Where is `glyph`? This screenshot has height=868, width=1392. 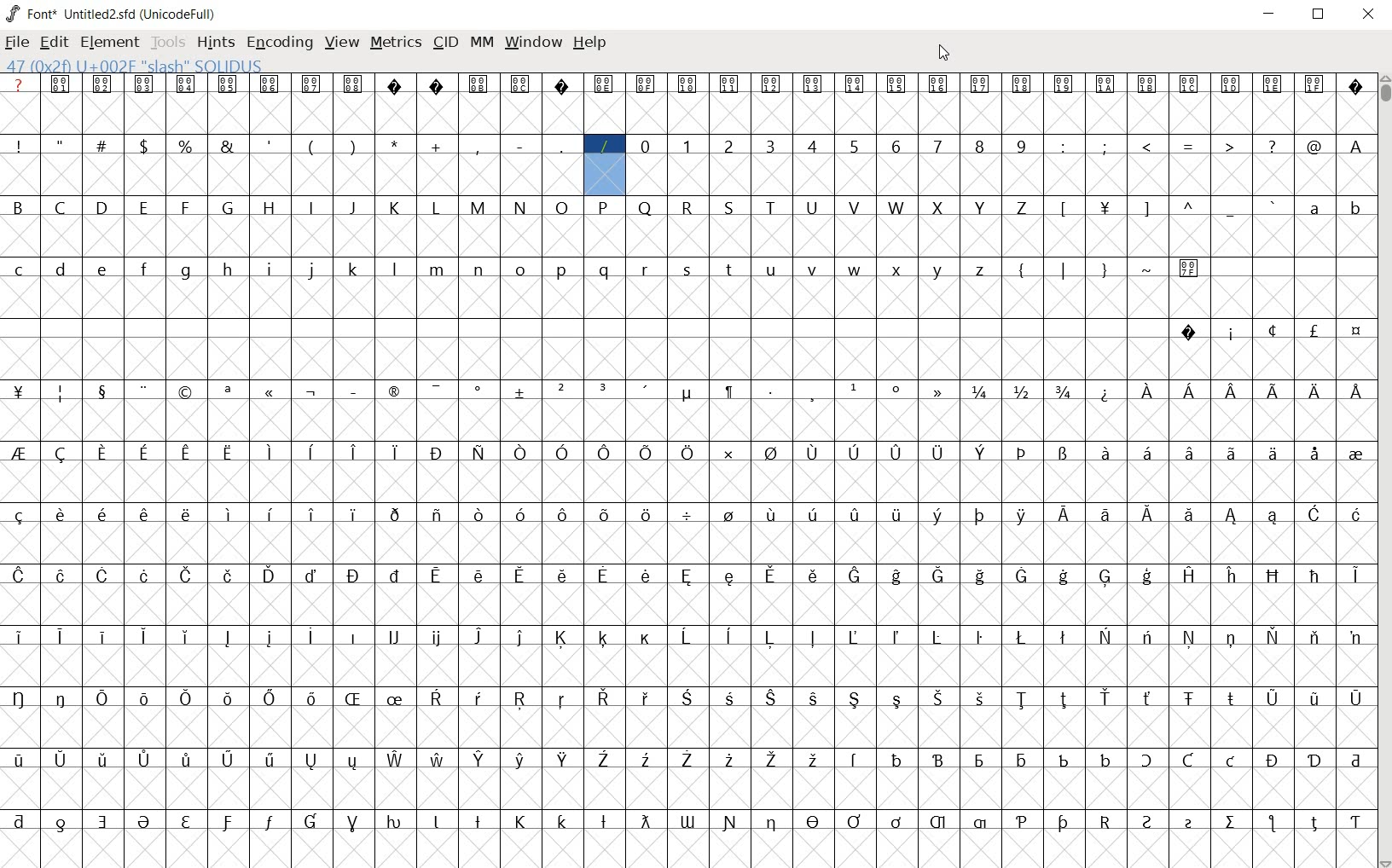 glyph is located at coordinates (687, 822).